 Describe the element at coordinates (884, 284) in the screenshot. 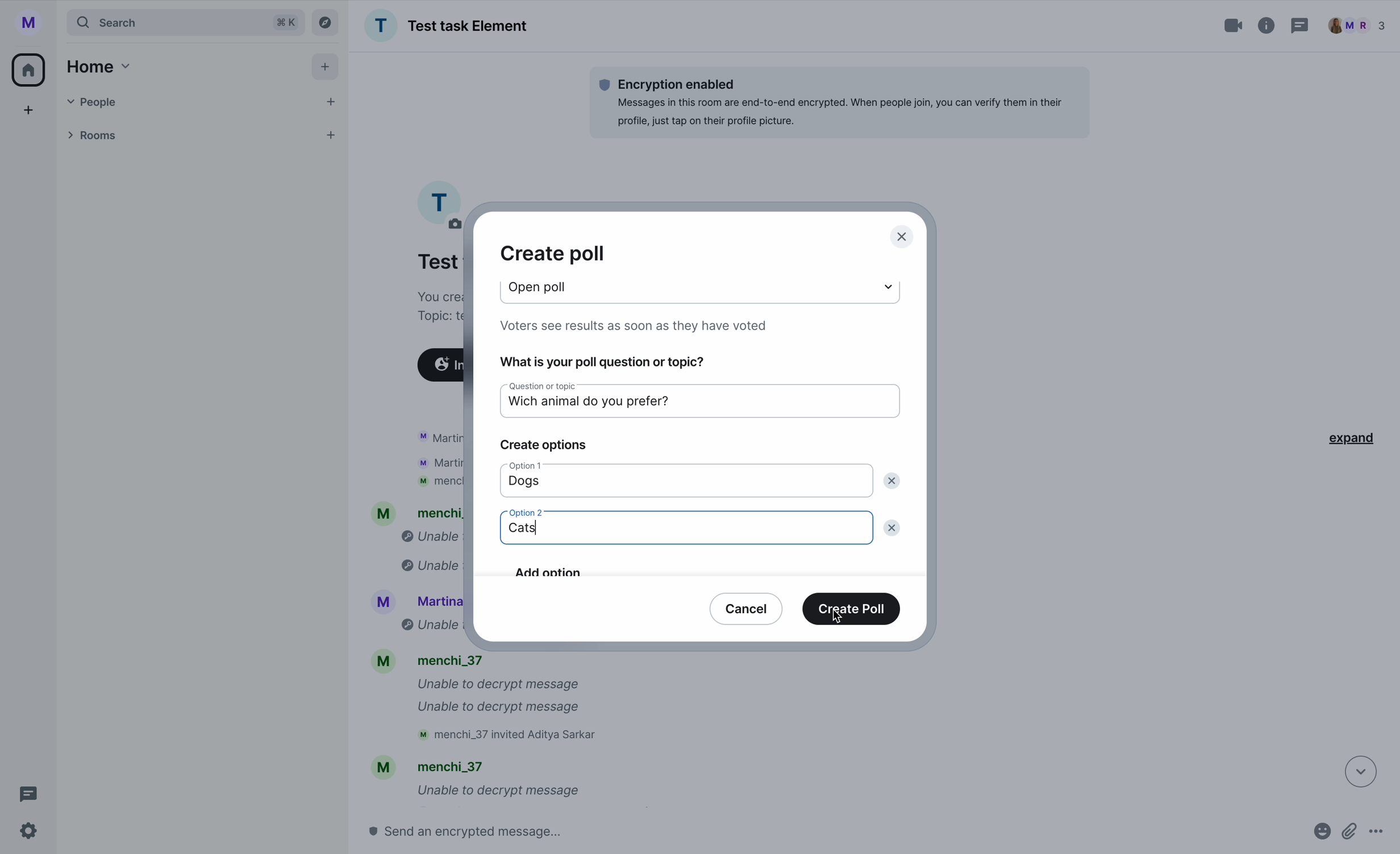

I see `dropdown` at that location.